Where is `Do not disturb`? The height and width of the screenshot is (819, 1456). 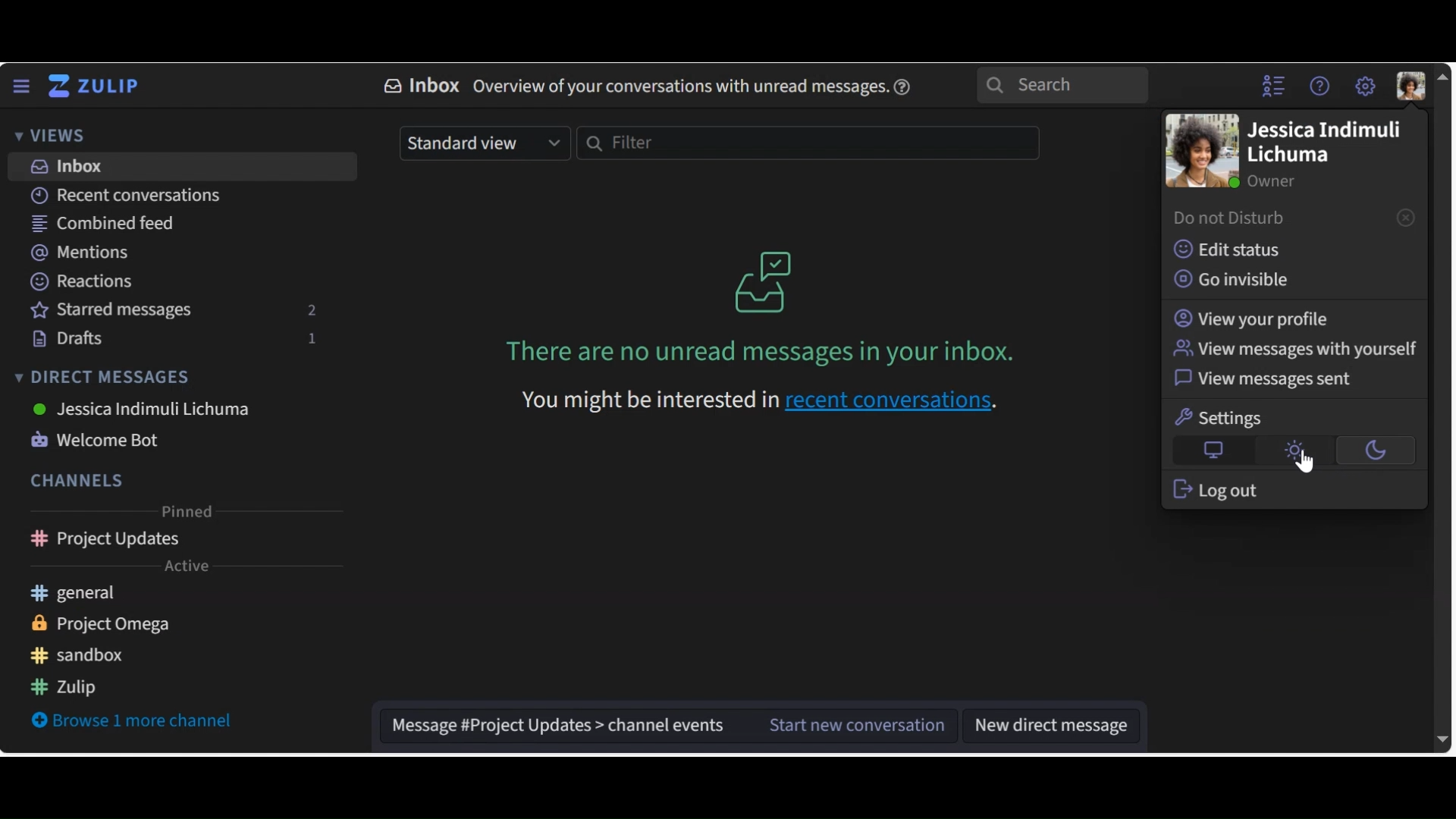 Do not disturb is located at coordinates (1235, 219).